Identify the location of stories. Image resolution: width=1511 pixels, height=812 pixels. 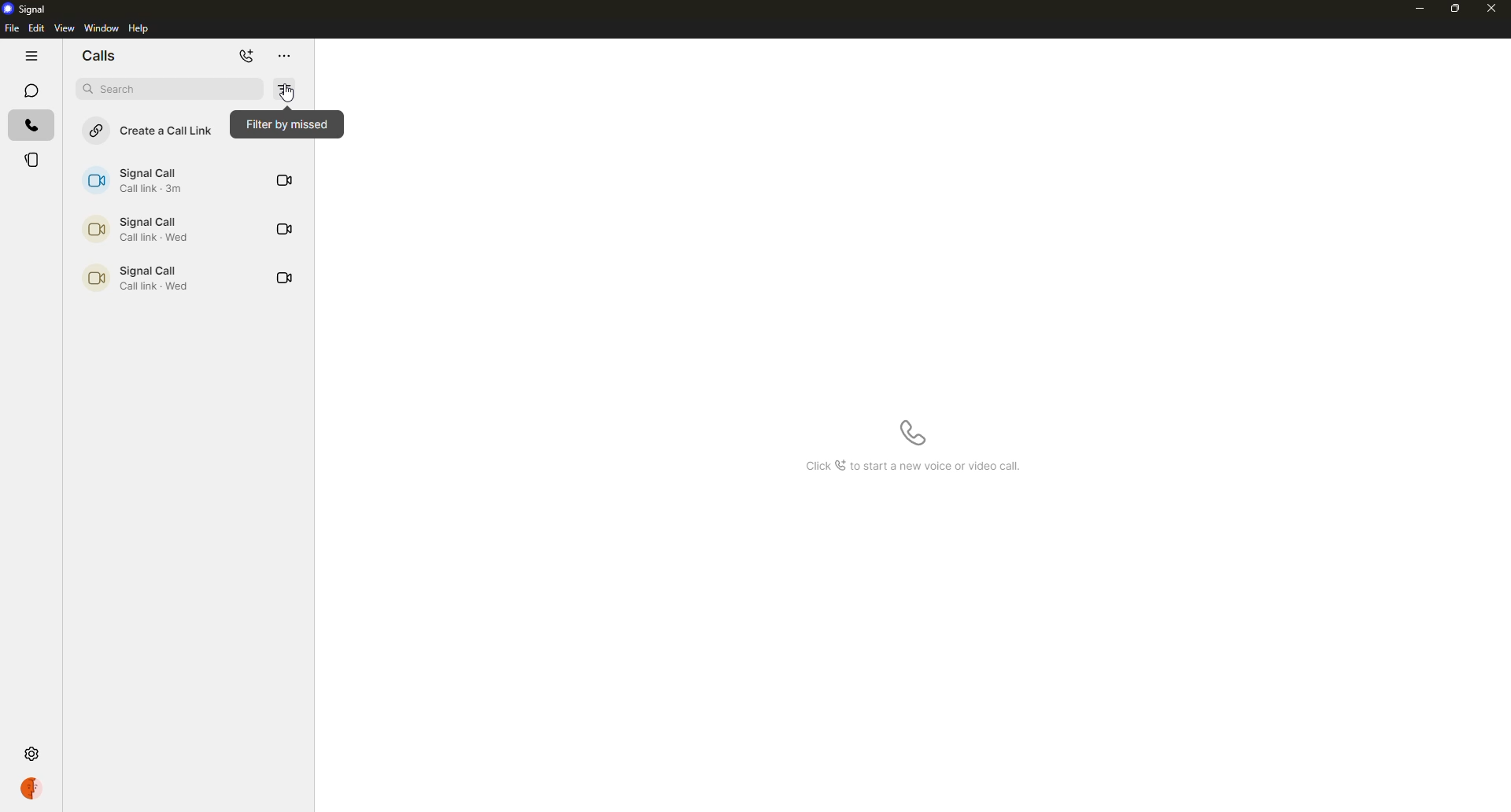
(31, 159).